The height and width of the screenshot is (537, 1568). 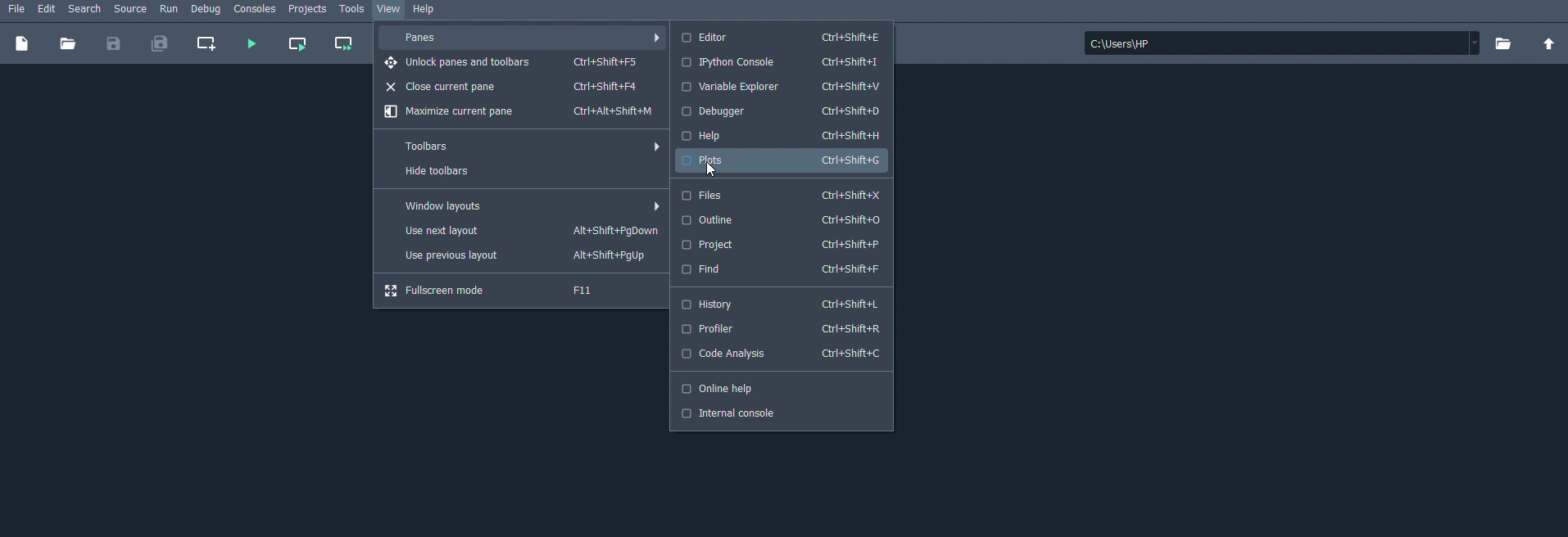 What do you see at coordinates (526, 232) in the screenshot?
I see `Use next layout` at bounding box center [526, 232].